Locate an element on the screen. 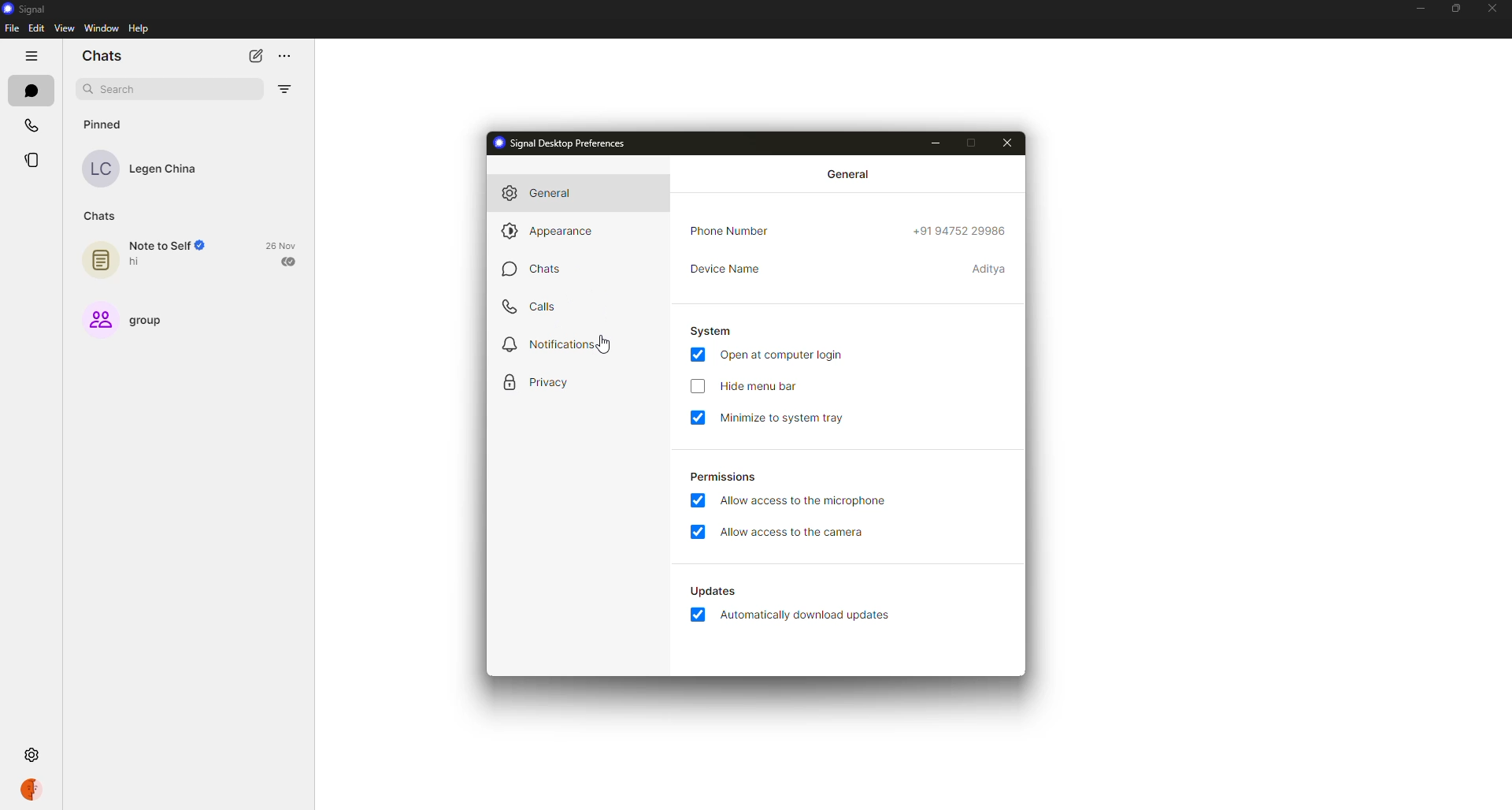 This screenshot has width=1512, height=810. hide menu bar is located at coordinates (767, 387).